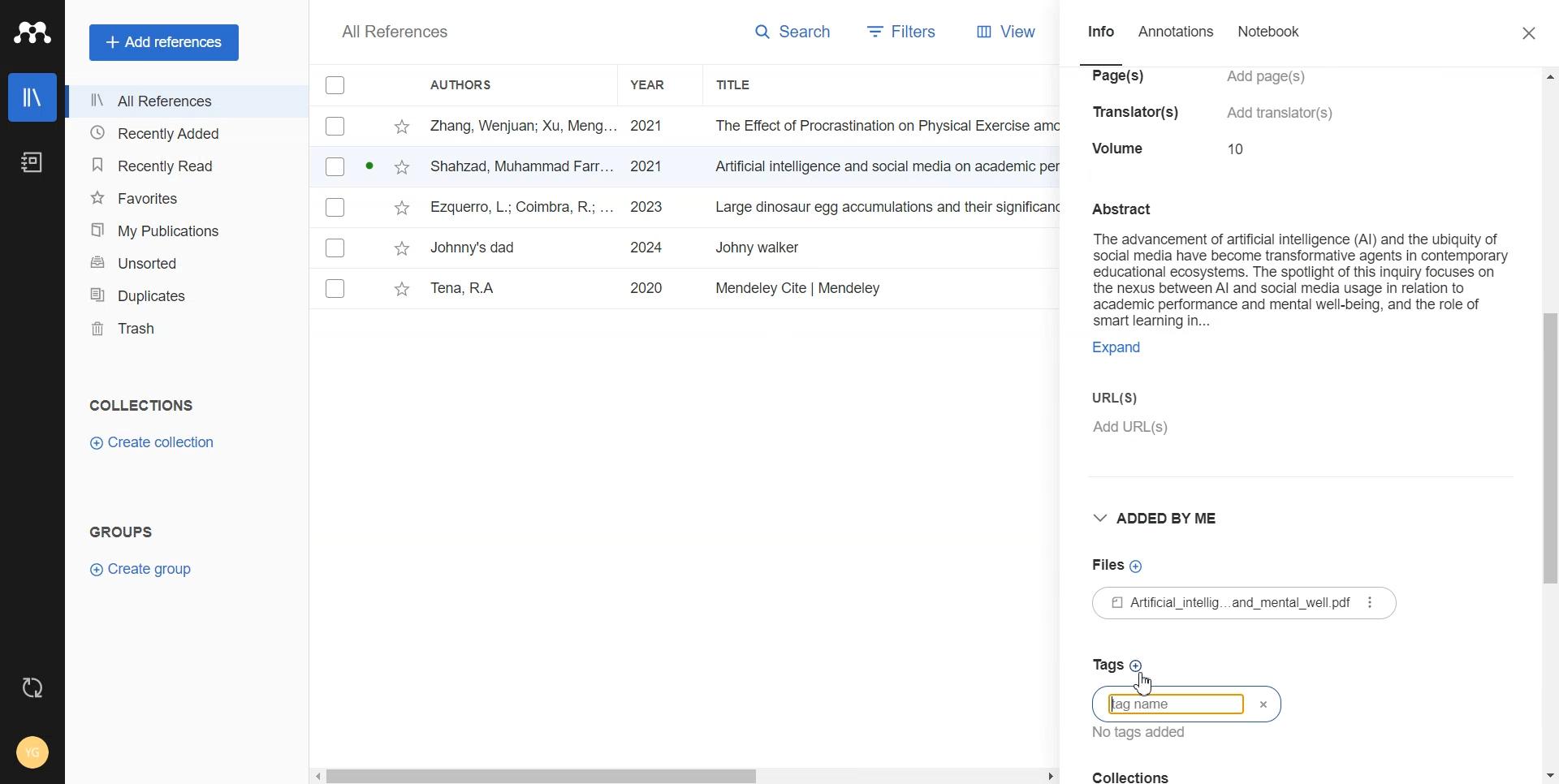 Image resolution: width=1559 pixels, height=784 pixels. Describe the element at coordinates (682, 248) in the screenshot. I see `File` at that location.